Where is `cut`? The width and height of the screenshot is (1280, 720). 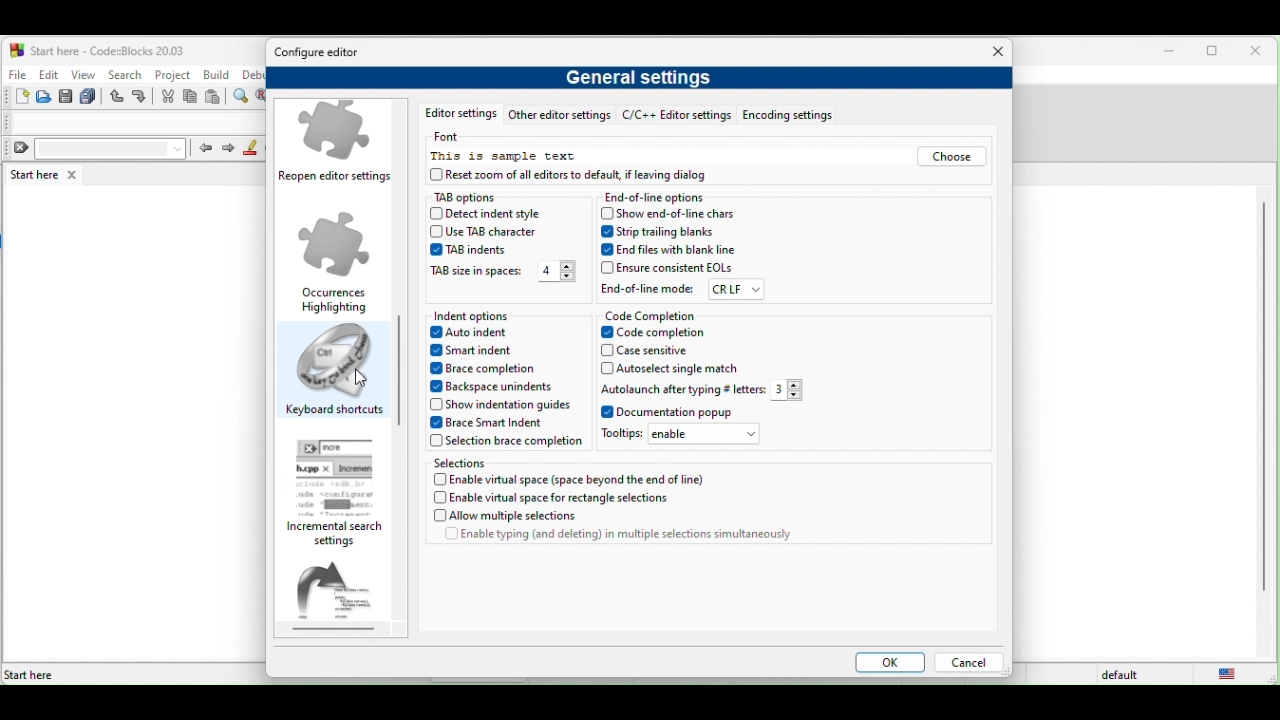 cut is located at coordinates (168, 97).